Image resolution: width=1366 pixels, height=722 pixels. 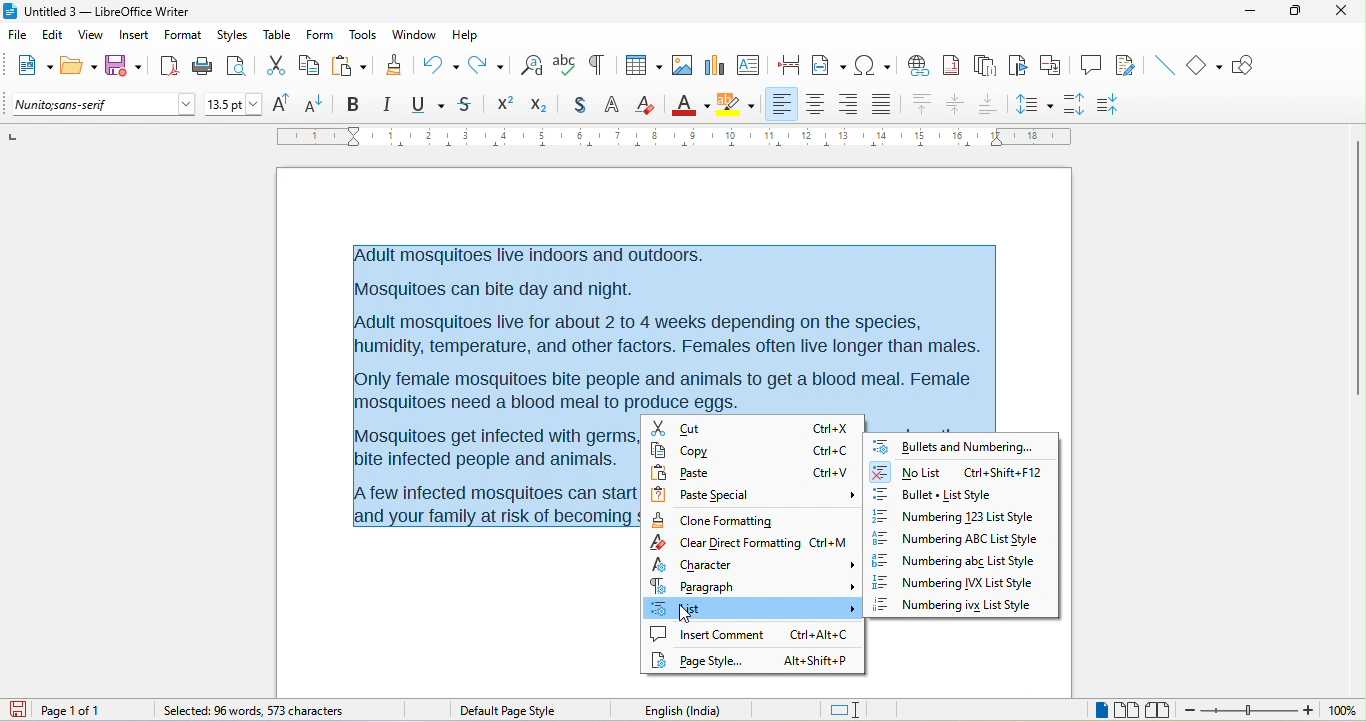 What do you see at coordinates (1256, 17) in the screenshot?
I see `minimize` at bounding box center [1256, 17].